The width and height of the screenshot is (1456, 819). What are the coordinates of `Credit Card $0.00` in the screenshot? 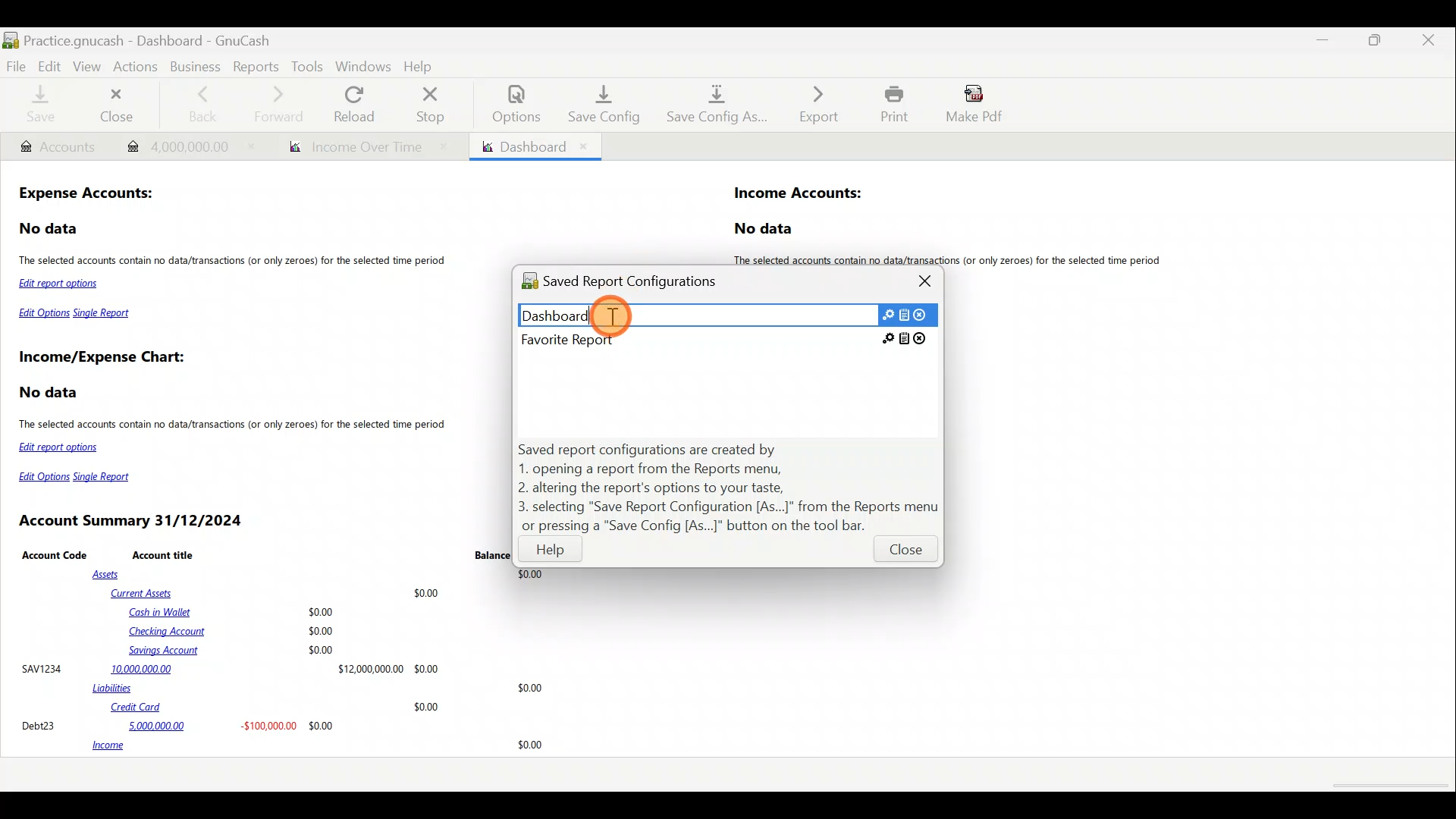 It's located at (276, 708).